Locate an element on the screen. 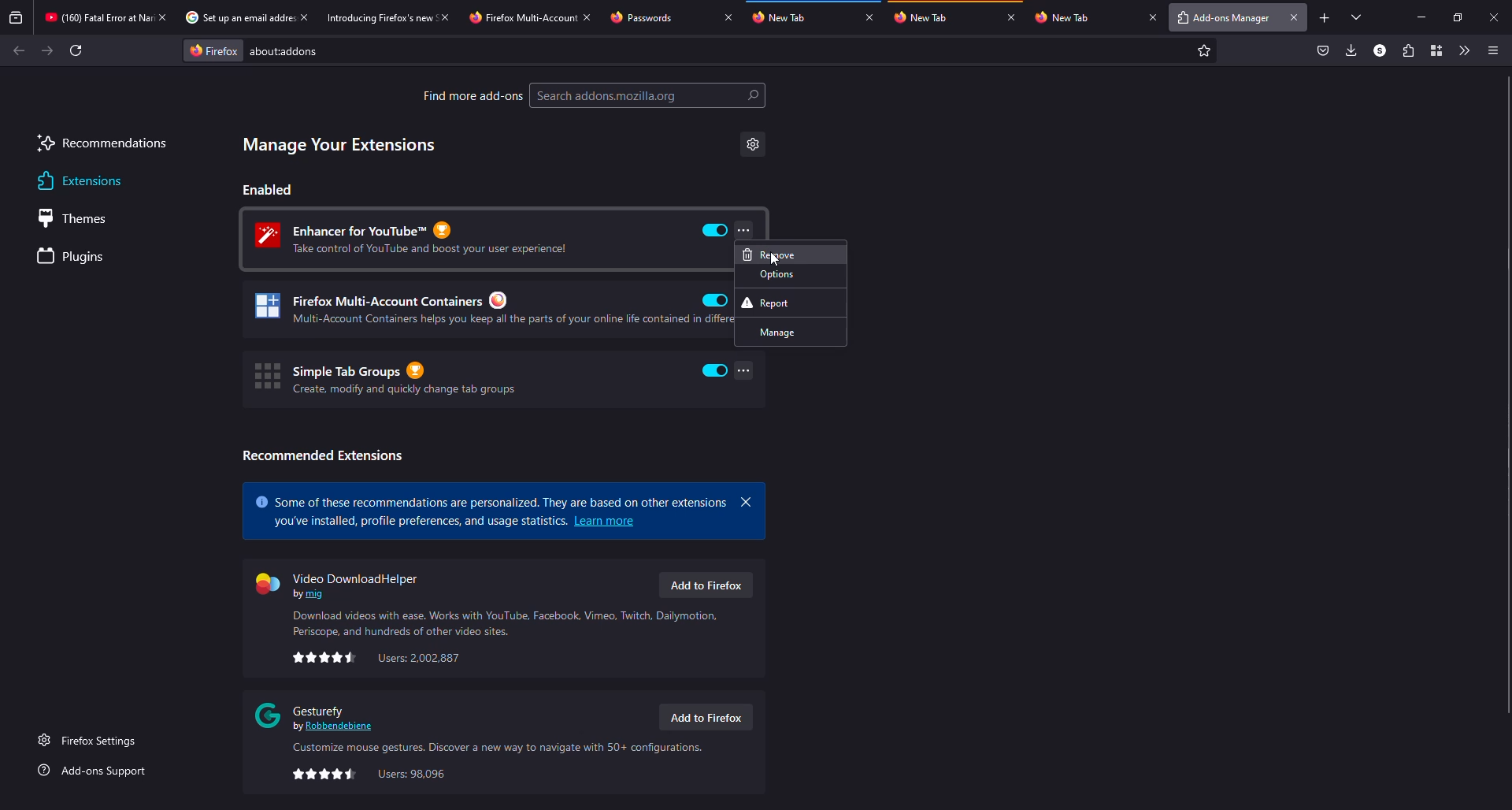  container is located at coordinates (1436, 50).